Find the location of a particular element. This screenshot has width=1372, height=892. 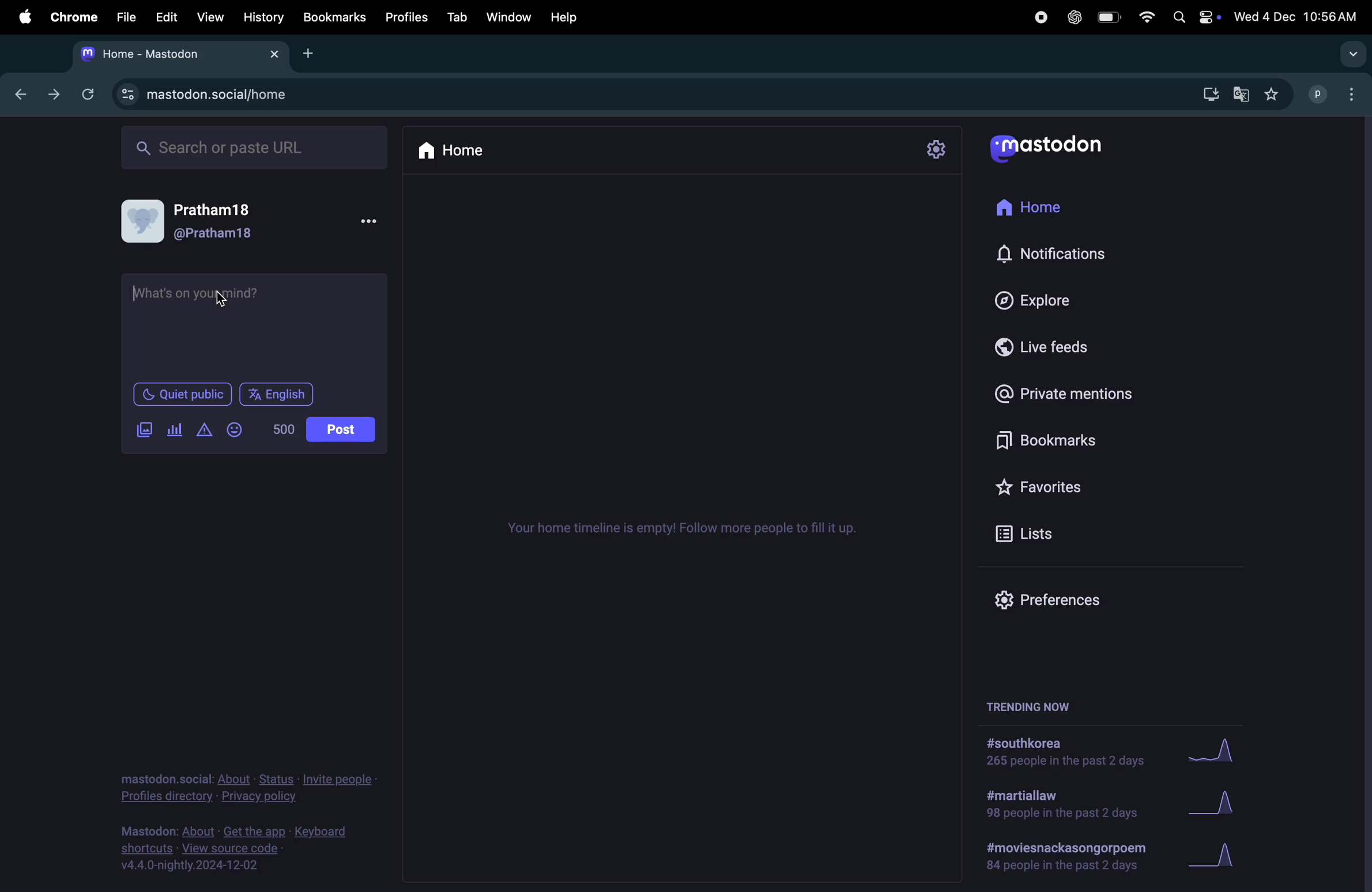

settings is located at coordinates (936, 151).